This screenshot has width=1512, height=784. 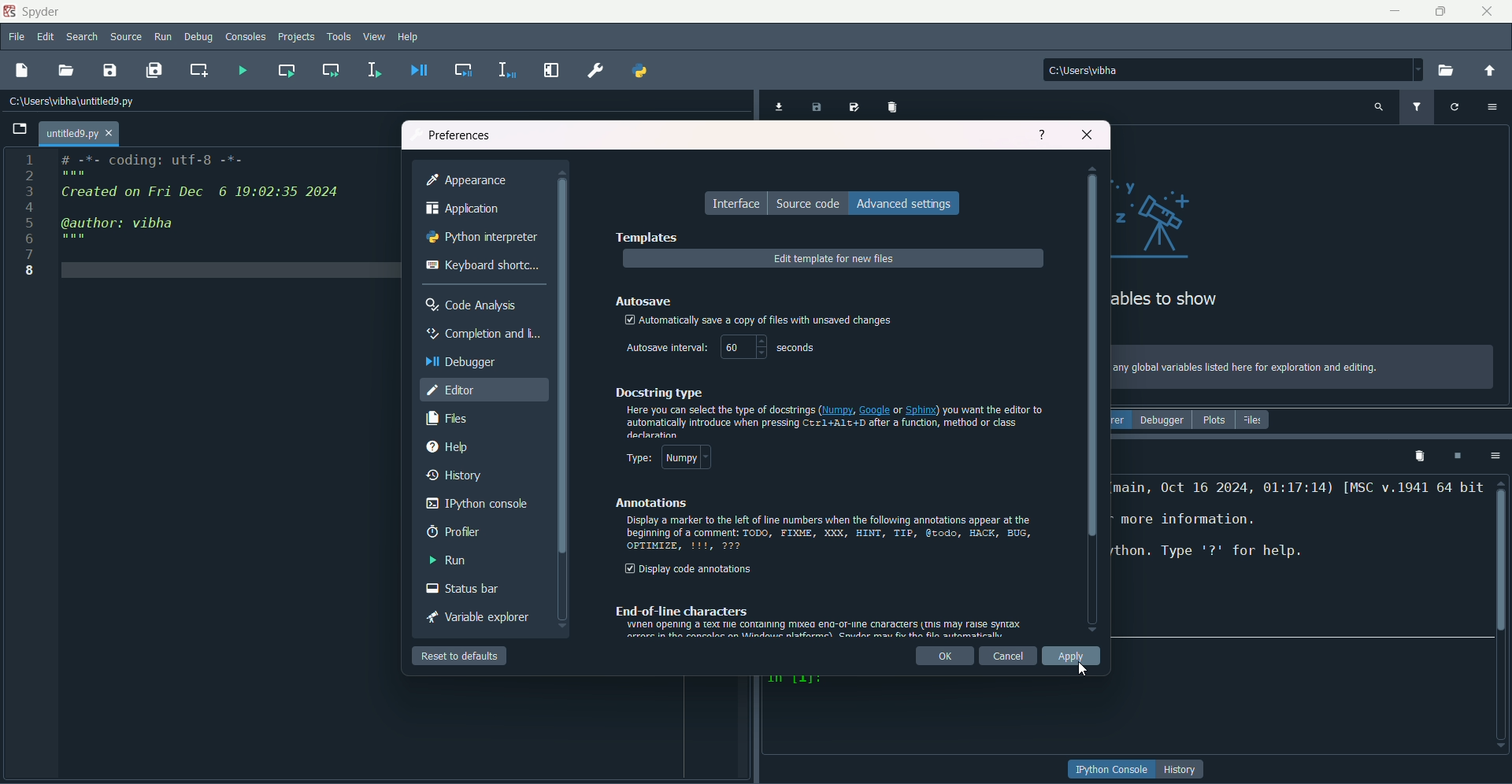 What do you see at coordinates (1166, 216) in the screenshot?
I see `graphics` at bounding box center [1166, 216].